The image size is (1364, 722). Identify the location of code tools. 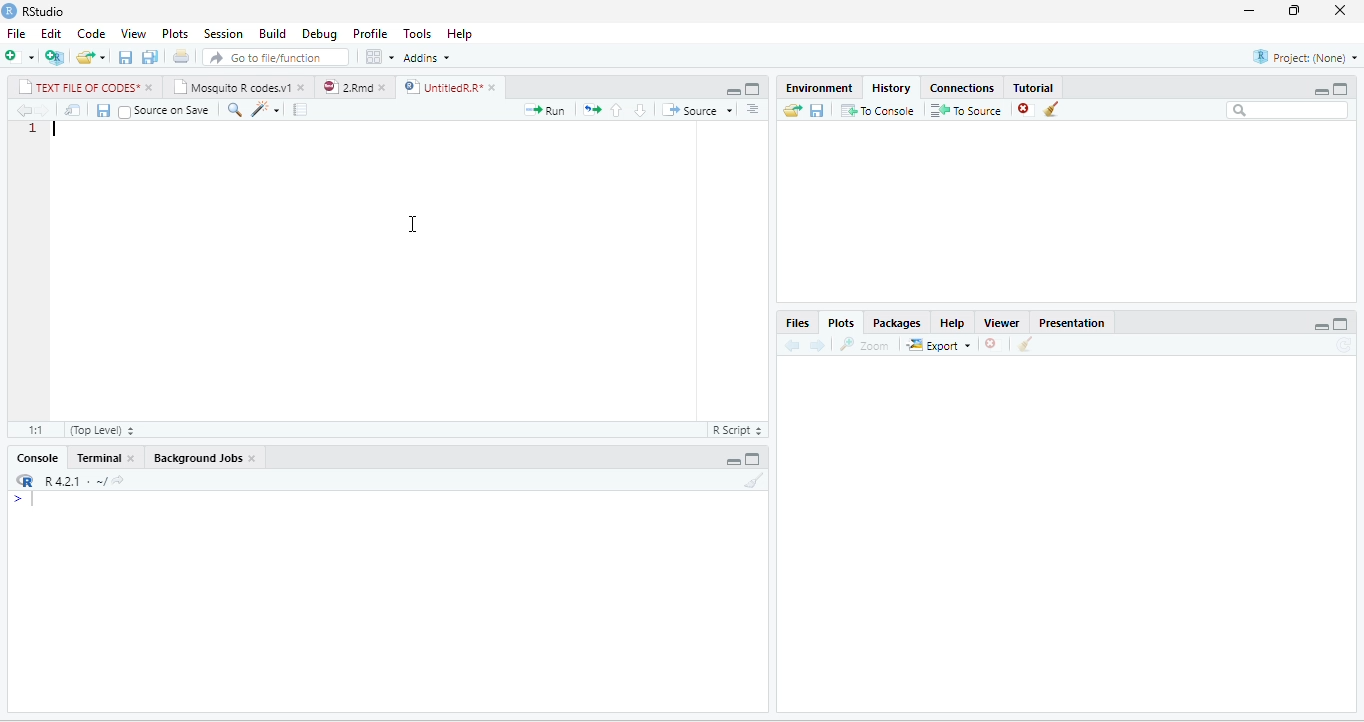
(265, 109).